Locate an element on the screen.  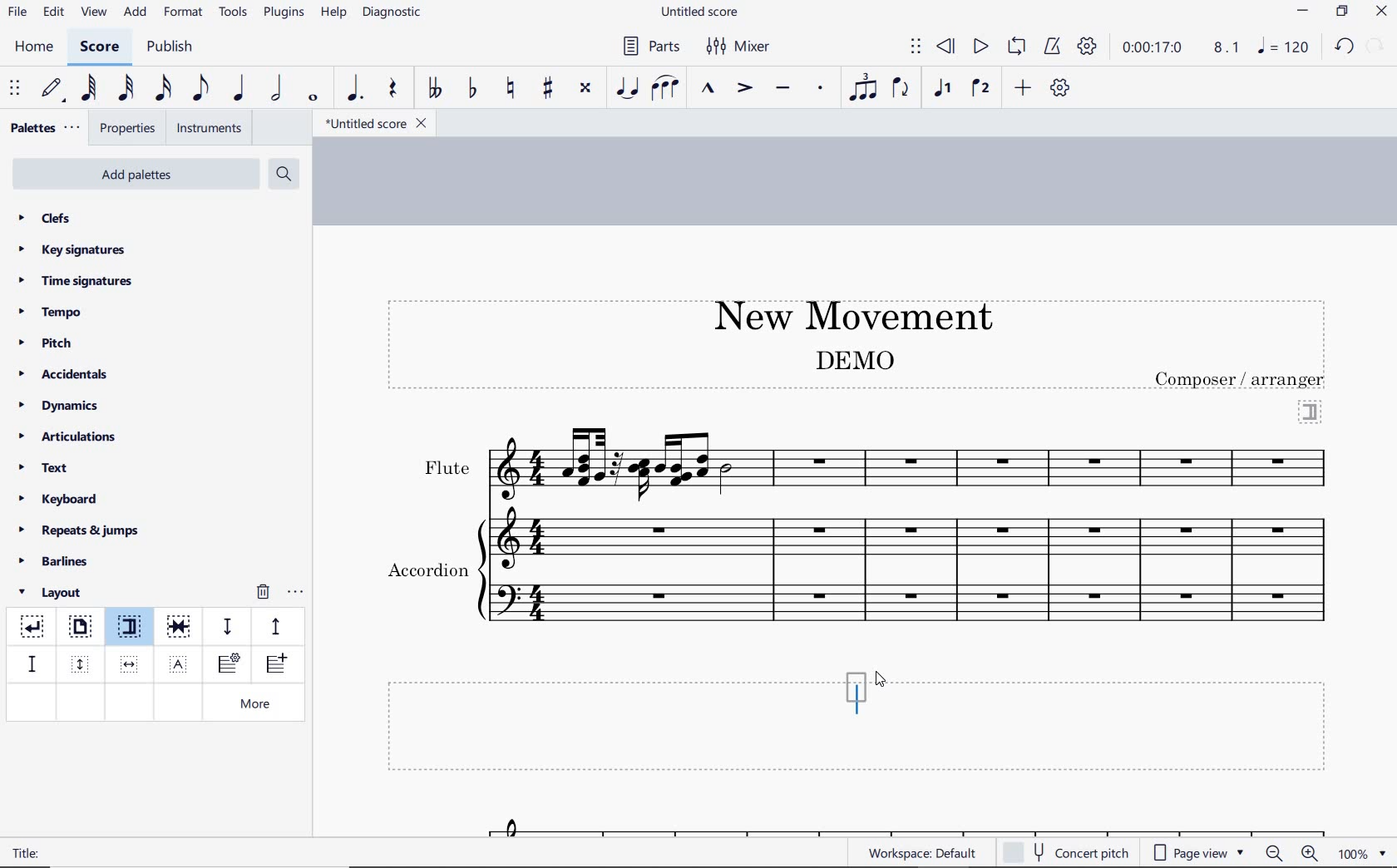
editor is located at coordinates (864, 693).